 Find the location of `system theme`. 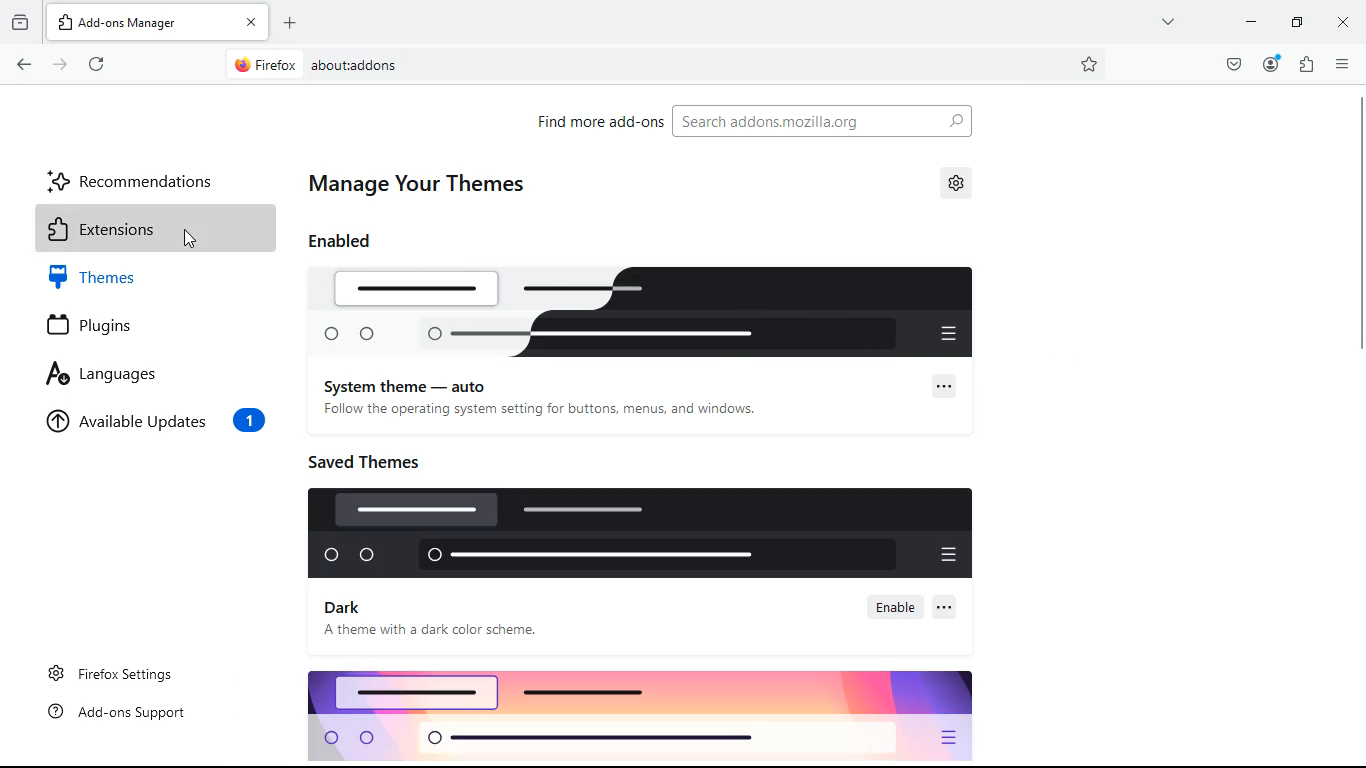

system theme is located at coordinates (646, 312).